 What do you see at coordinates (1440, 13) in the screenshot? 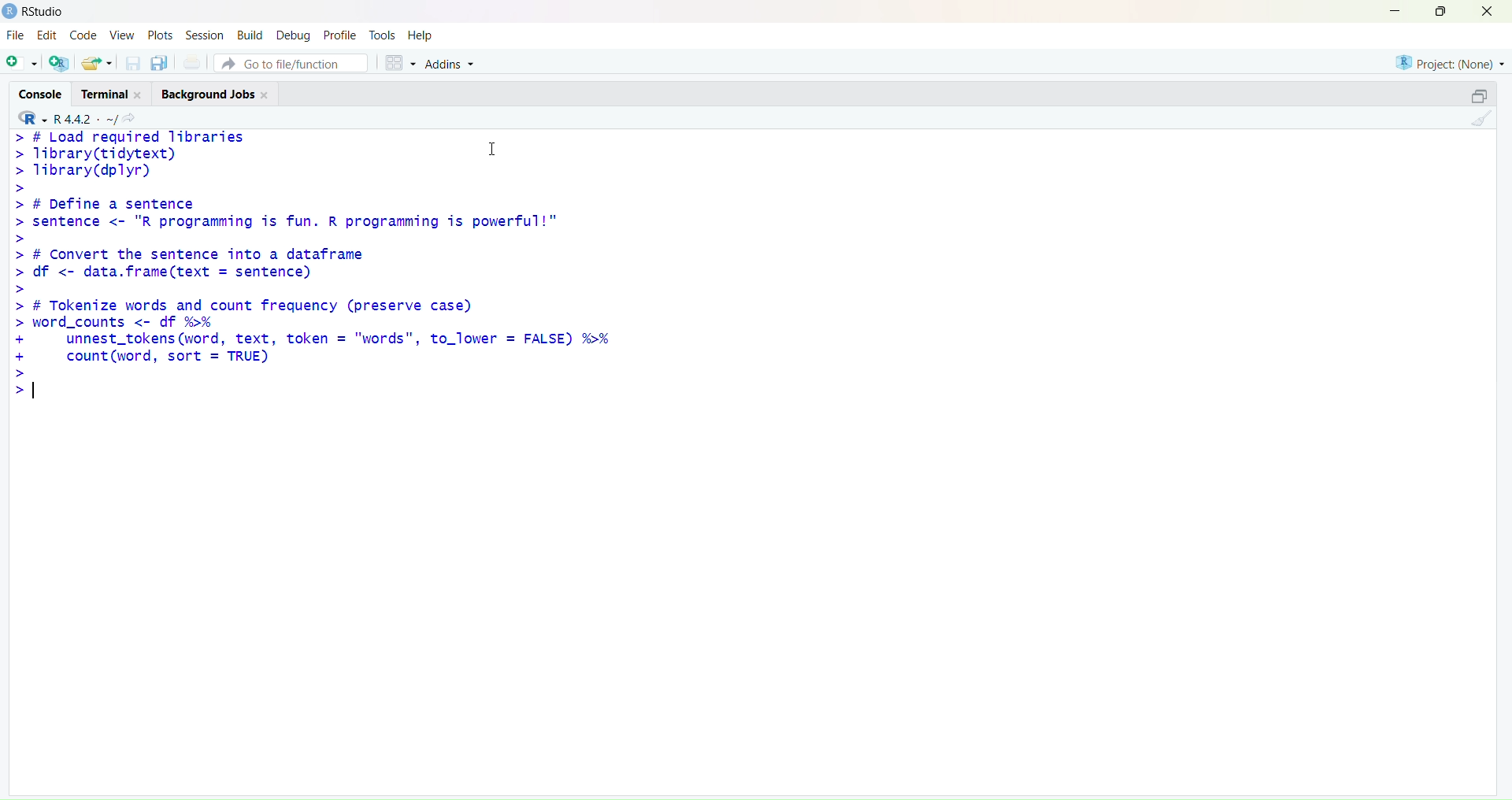
I see `maximize` at bounding box center [1440, 13].